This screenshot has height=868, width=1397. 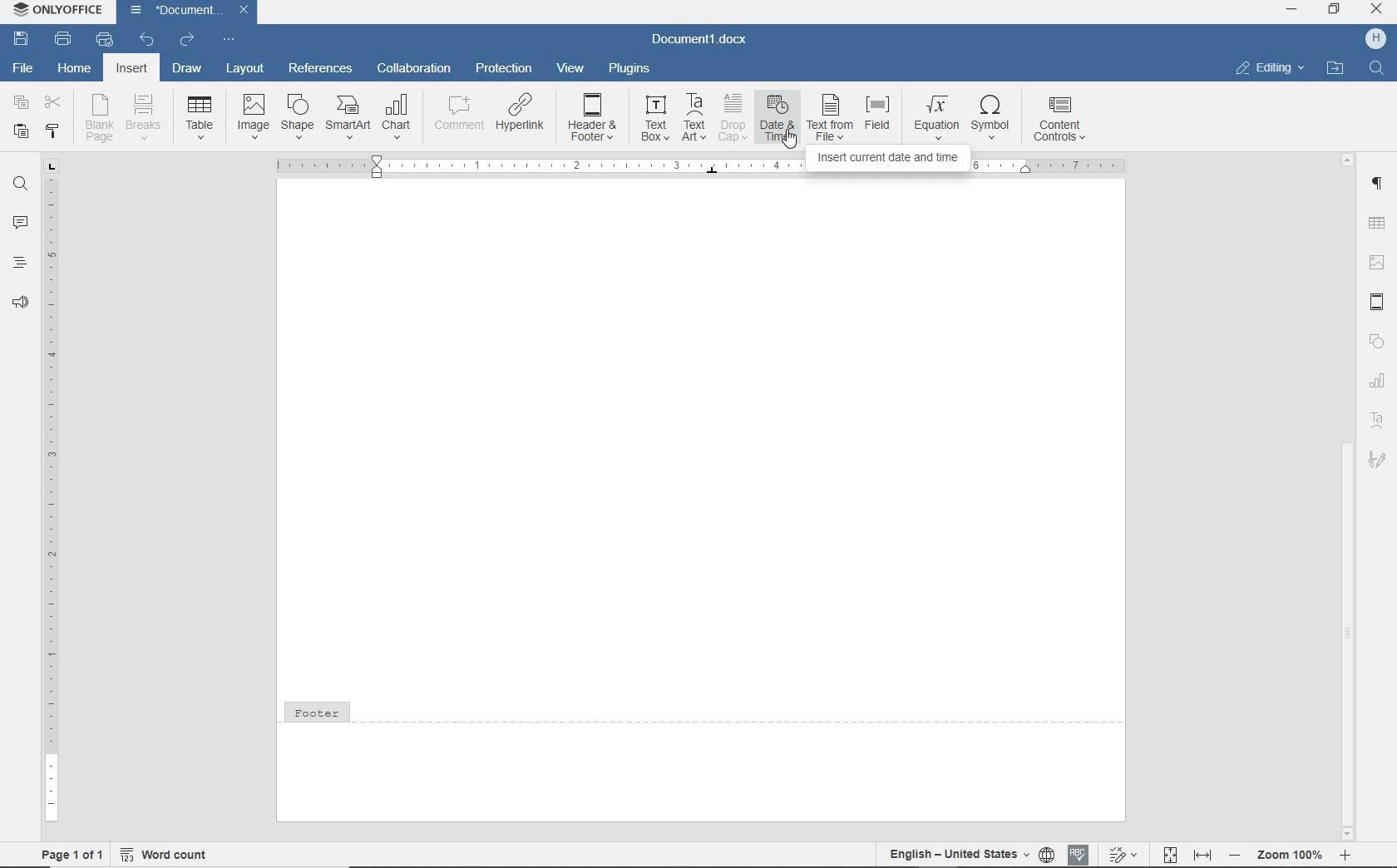 What do you see at coordinates (1236, 855) in the screenshot?
I see `zoom out` at bounding box center [1236, 855].